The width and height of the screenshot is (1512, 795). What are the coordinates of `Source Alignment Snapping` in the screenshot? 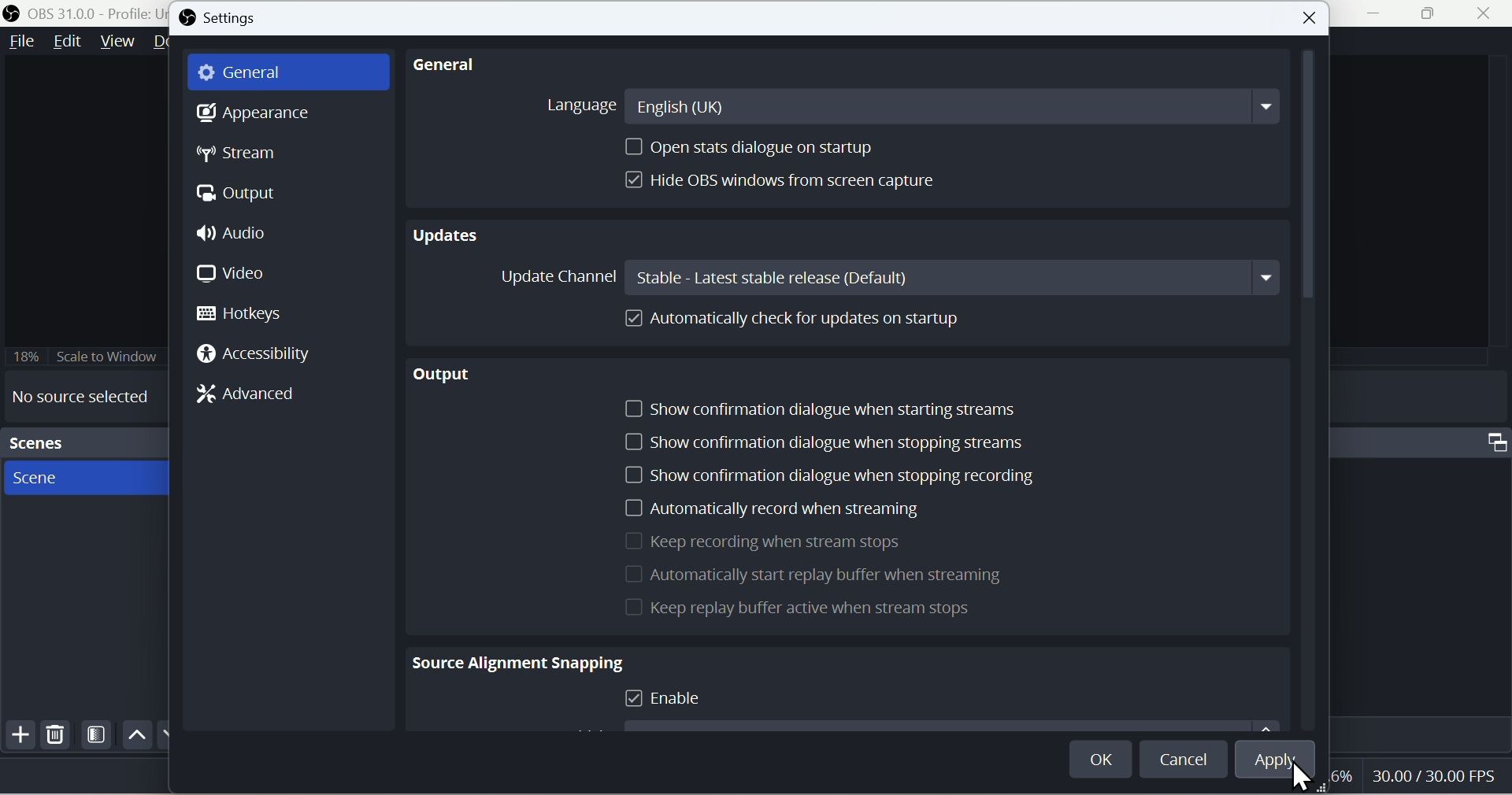 It's located at (513, 660).